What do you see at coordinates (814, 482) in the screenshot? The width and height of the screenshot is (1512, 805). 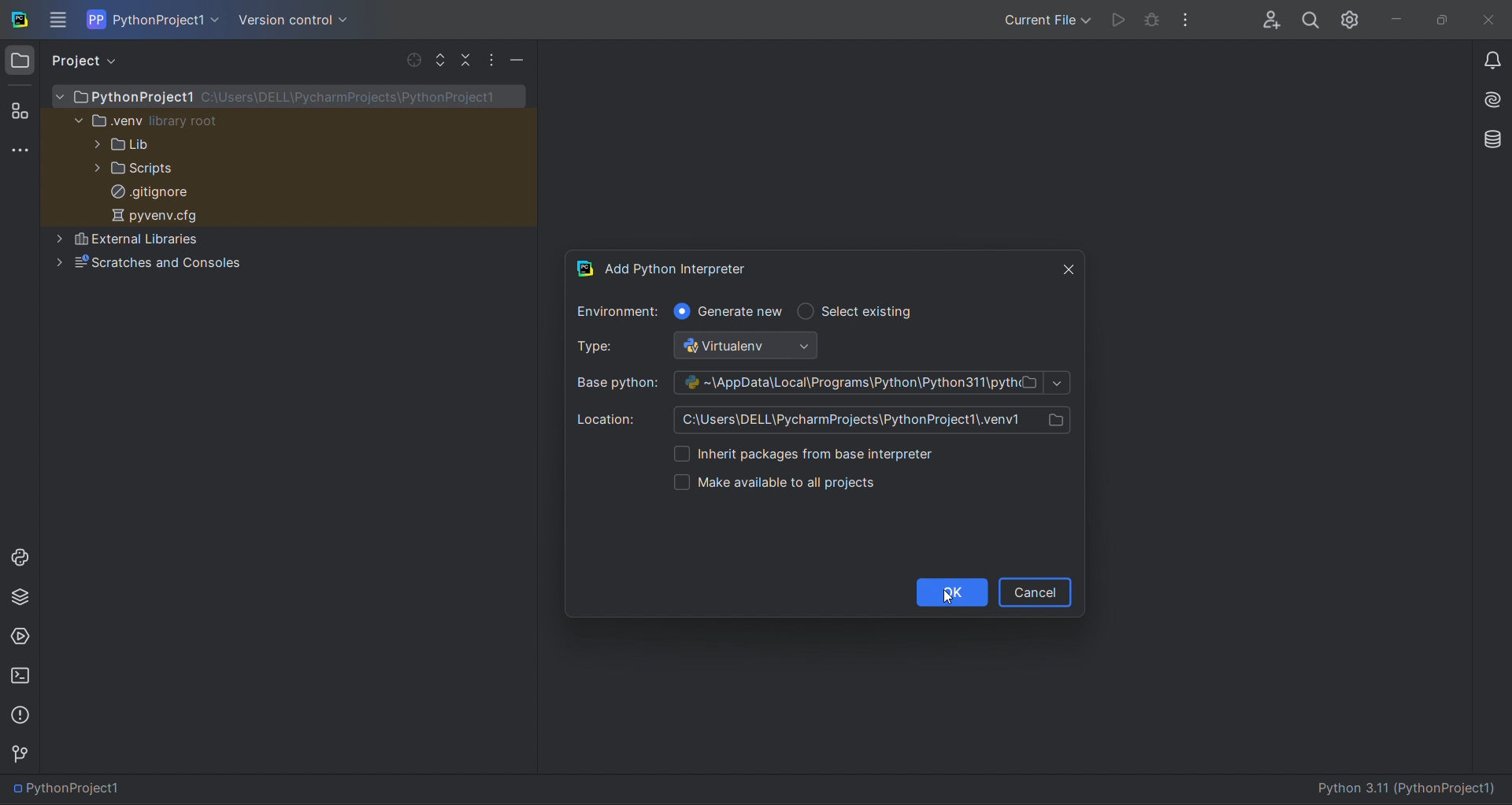 I see `option` at bounding box center [814, 482].